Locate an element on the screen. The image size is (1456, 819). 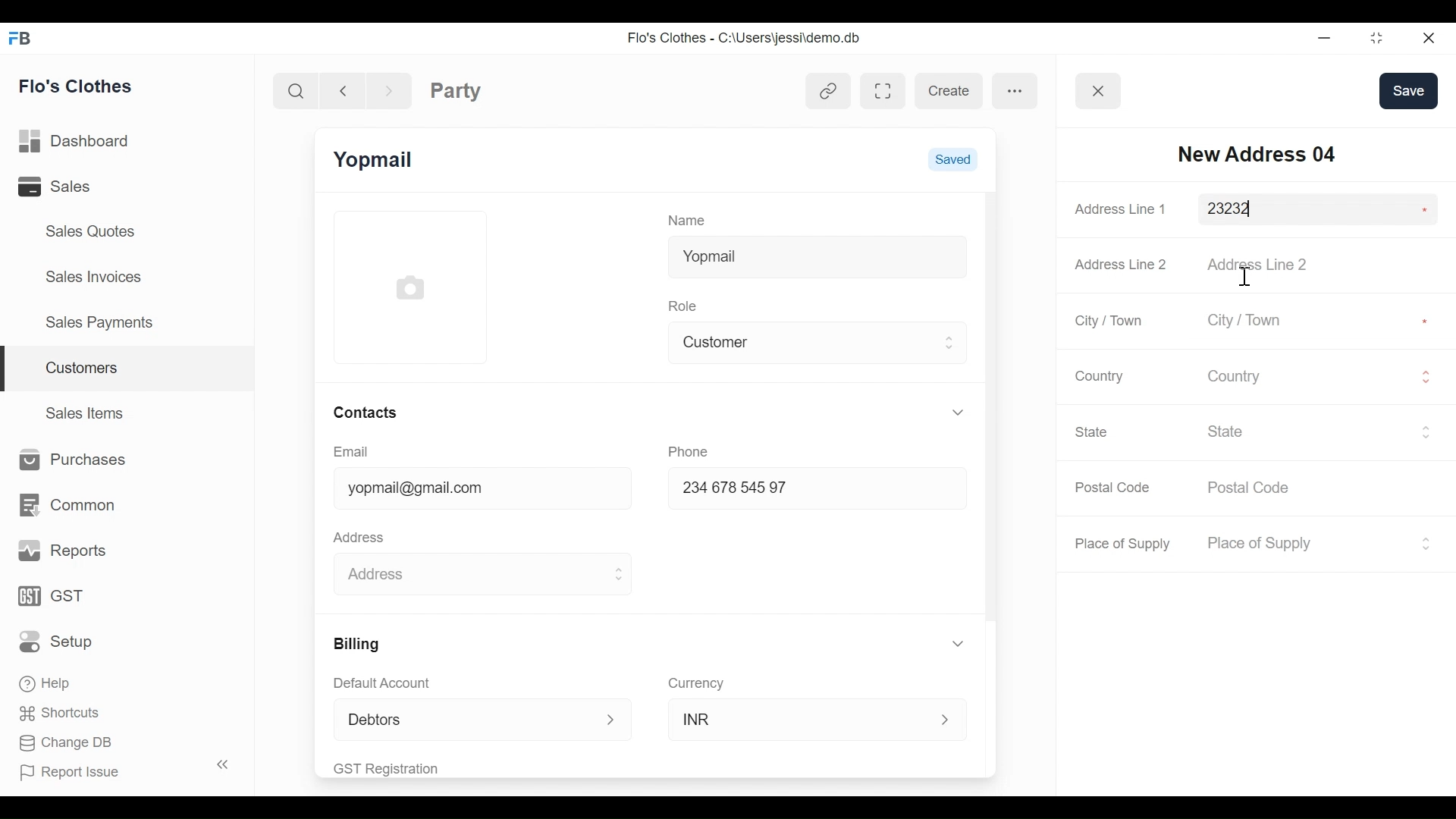
Common is located at coordinates (65, 505).